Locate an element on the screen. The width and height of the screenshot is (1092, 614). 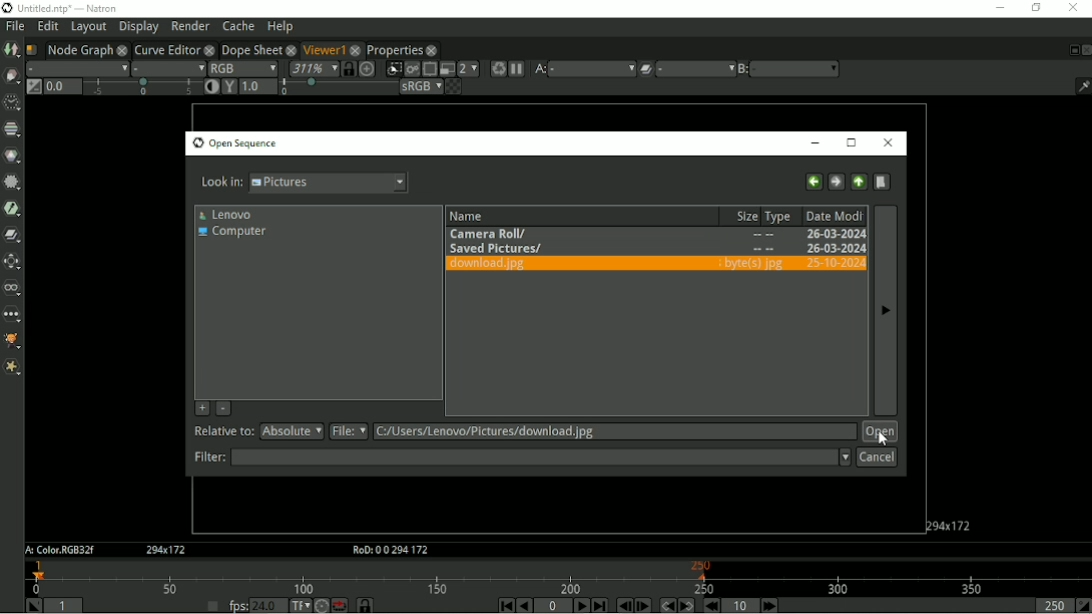
Saved Pictures is located at coordinates (655, 249).